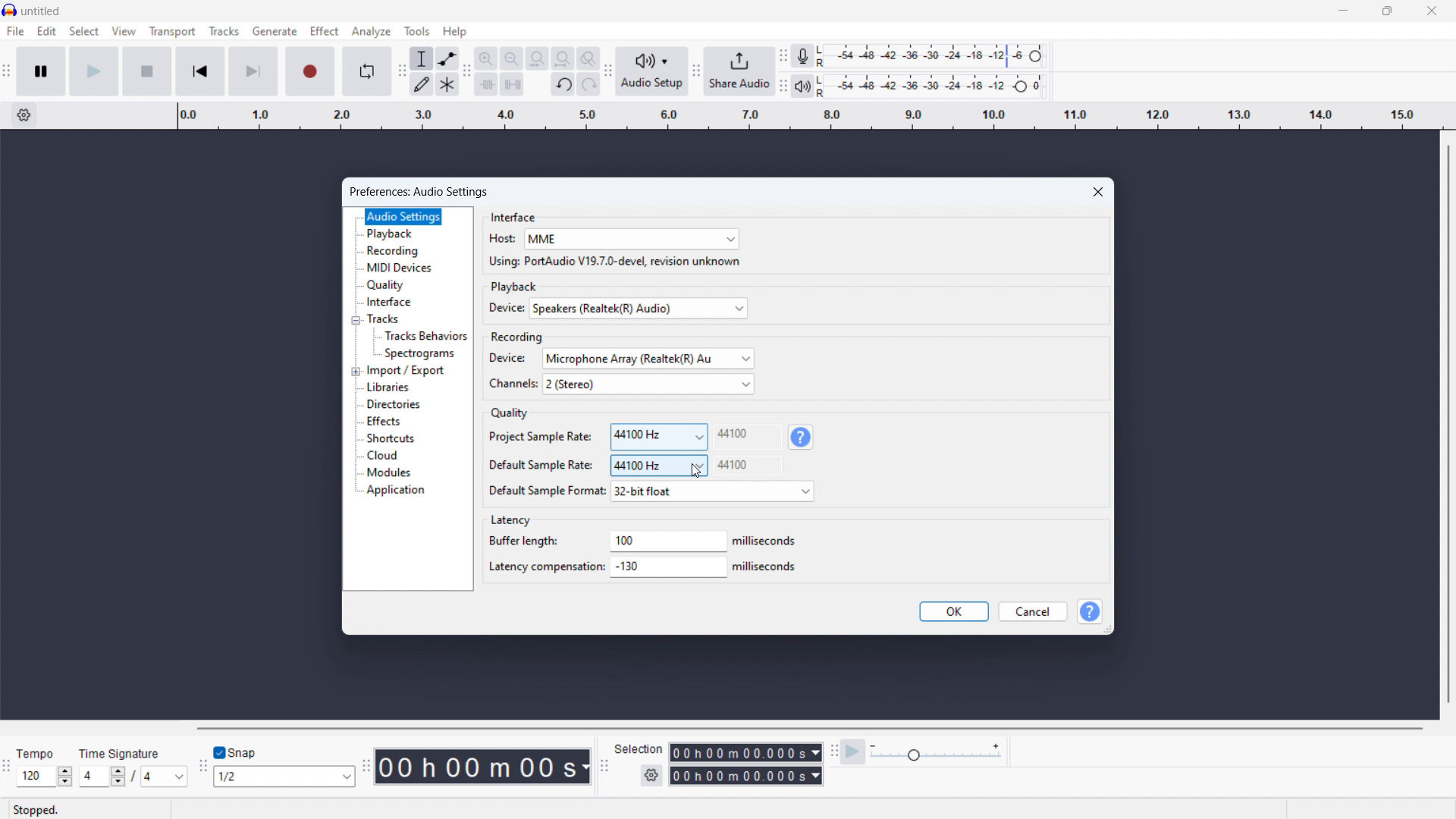  What do you see at coordinates (588, 84) in the screenshot?
I see `redo` at bounding box center [588, 84].